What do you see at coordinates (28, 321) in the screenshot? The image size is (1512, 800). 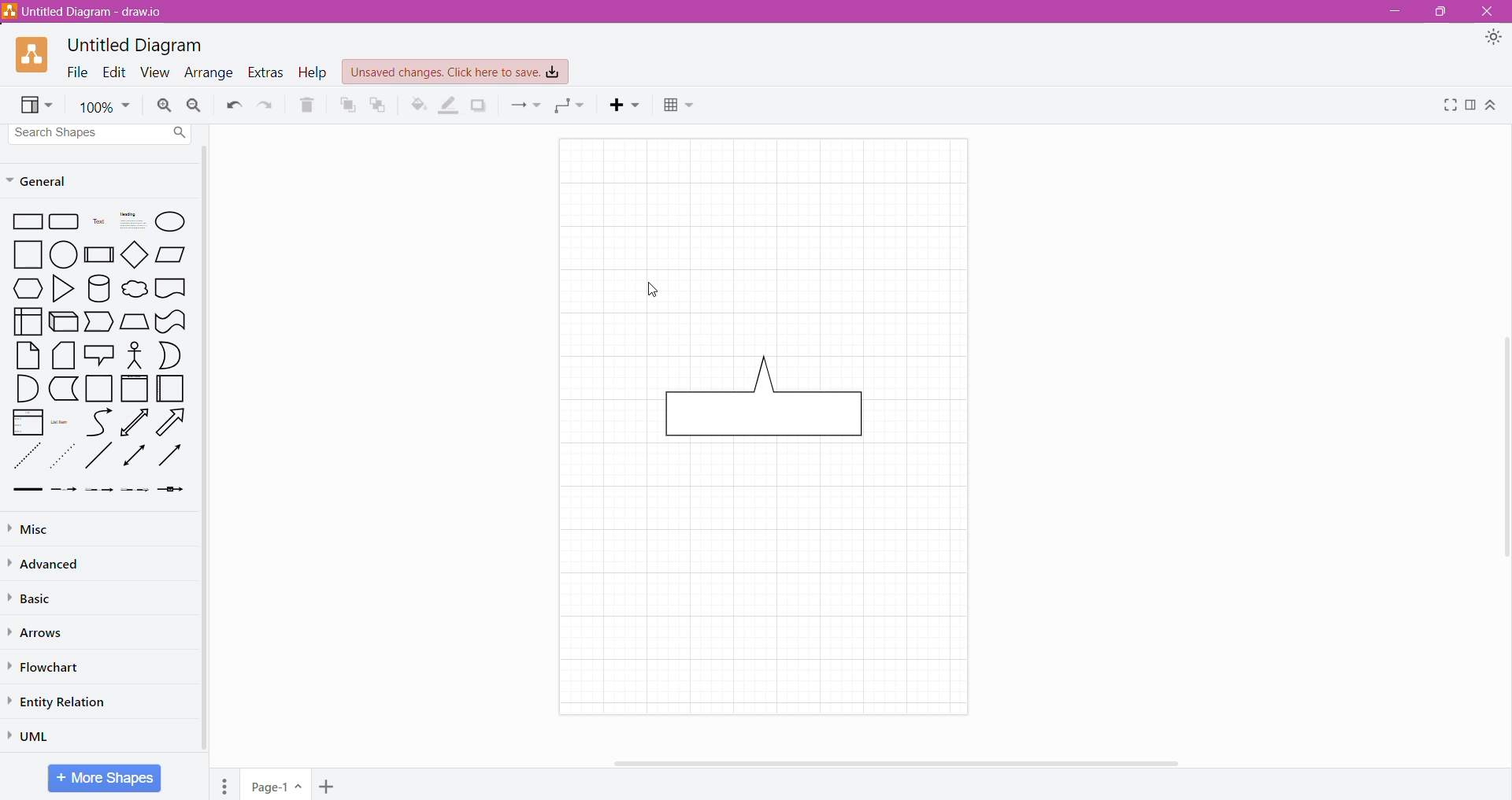 I see `user interface` at bounding box center [28, 321].